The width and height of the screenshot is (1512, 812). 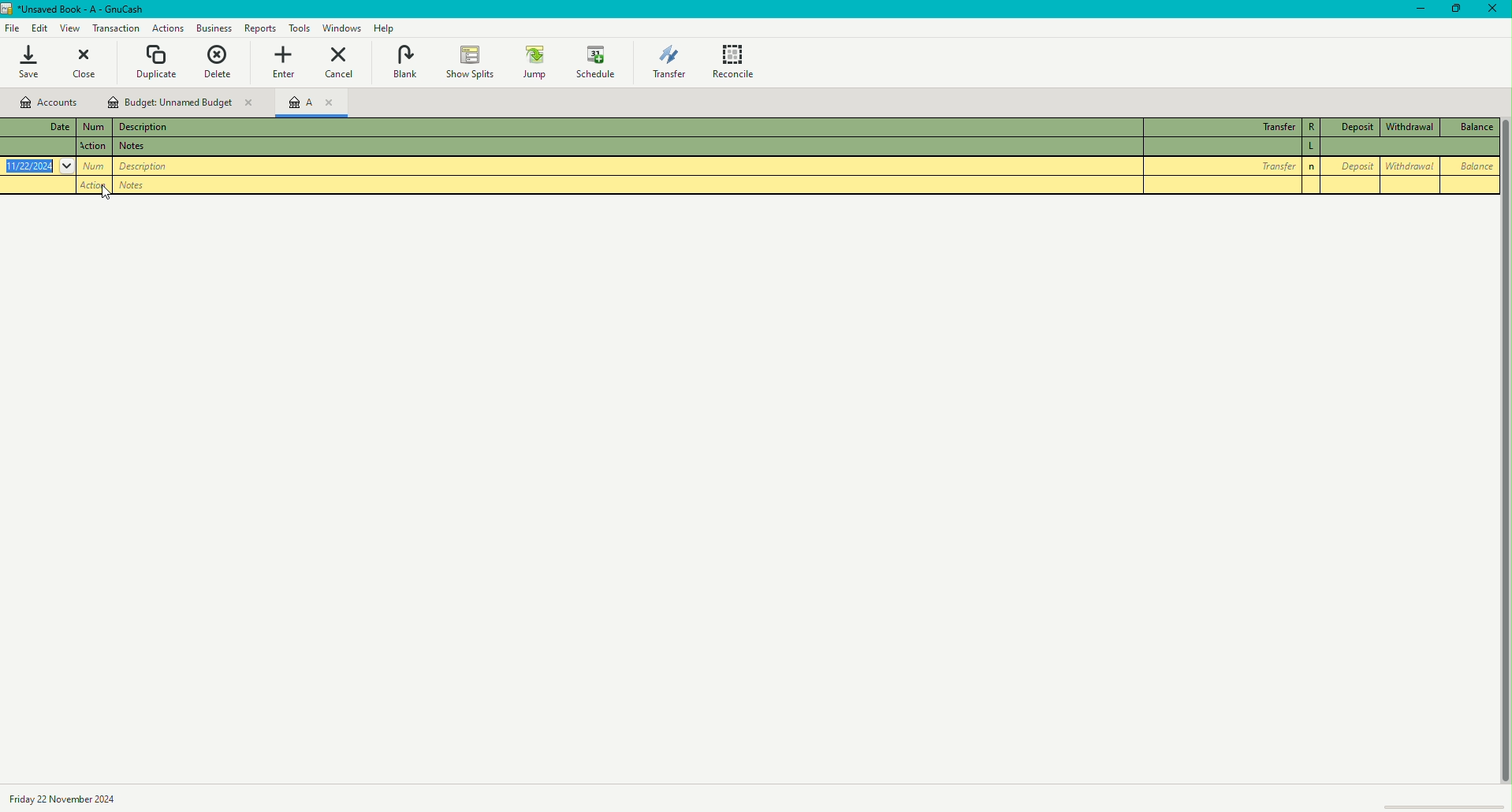 I want to click on Help, so click(x=384, y=28).